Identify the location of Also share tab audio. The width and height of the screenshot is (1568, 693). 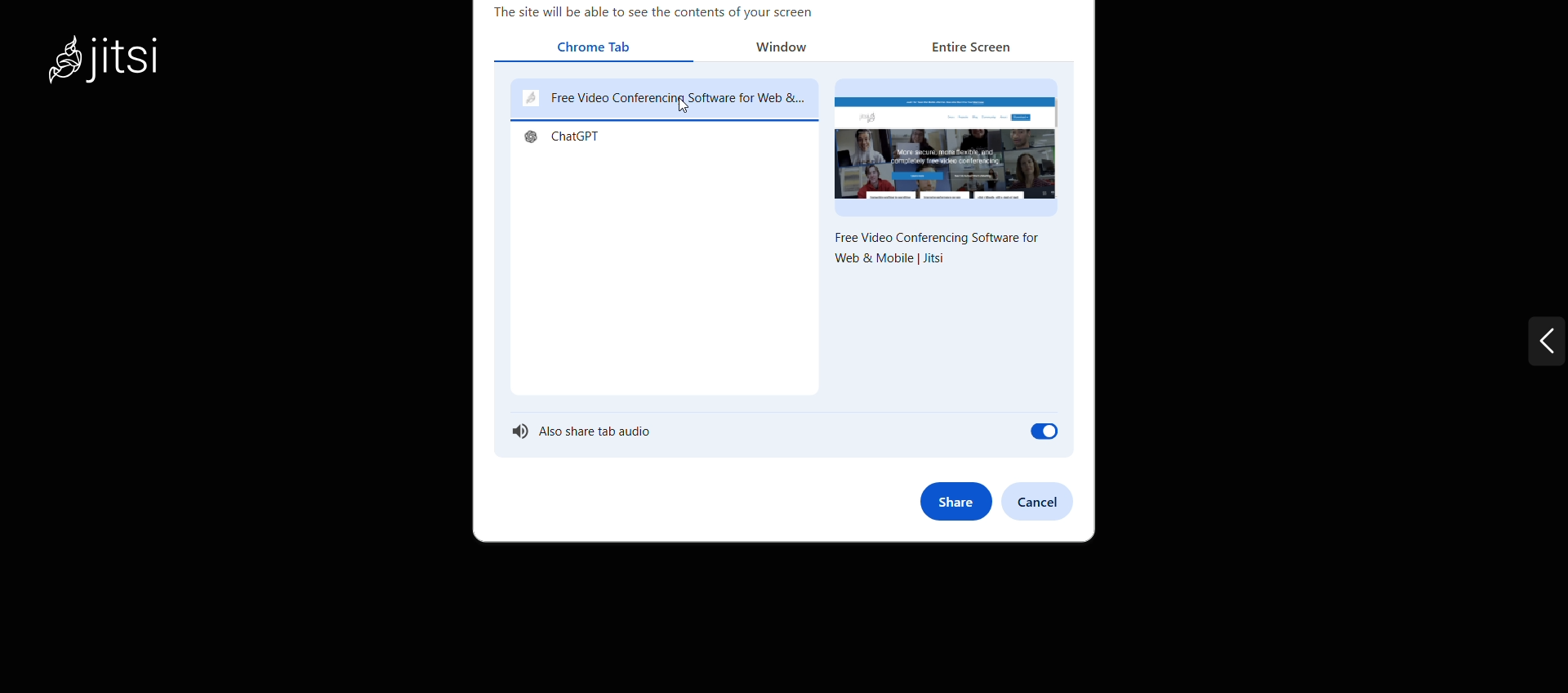
(781, 435).